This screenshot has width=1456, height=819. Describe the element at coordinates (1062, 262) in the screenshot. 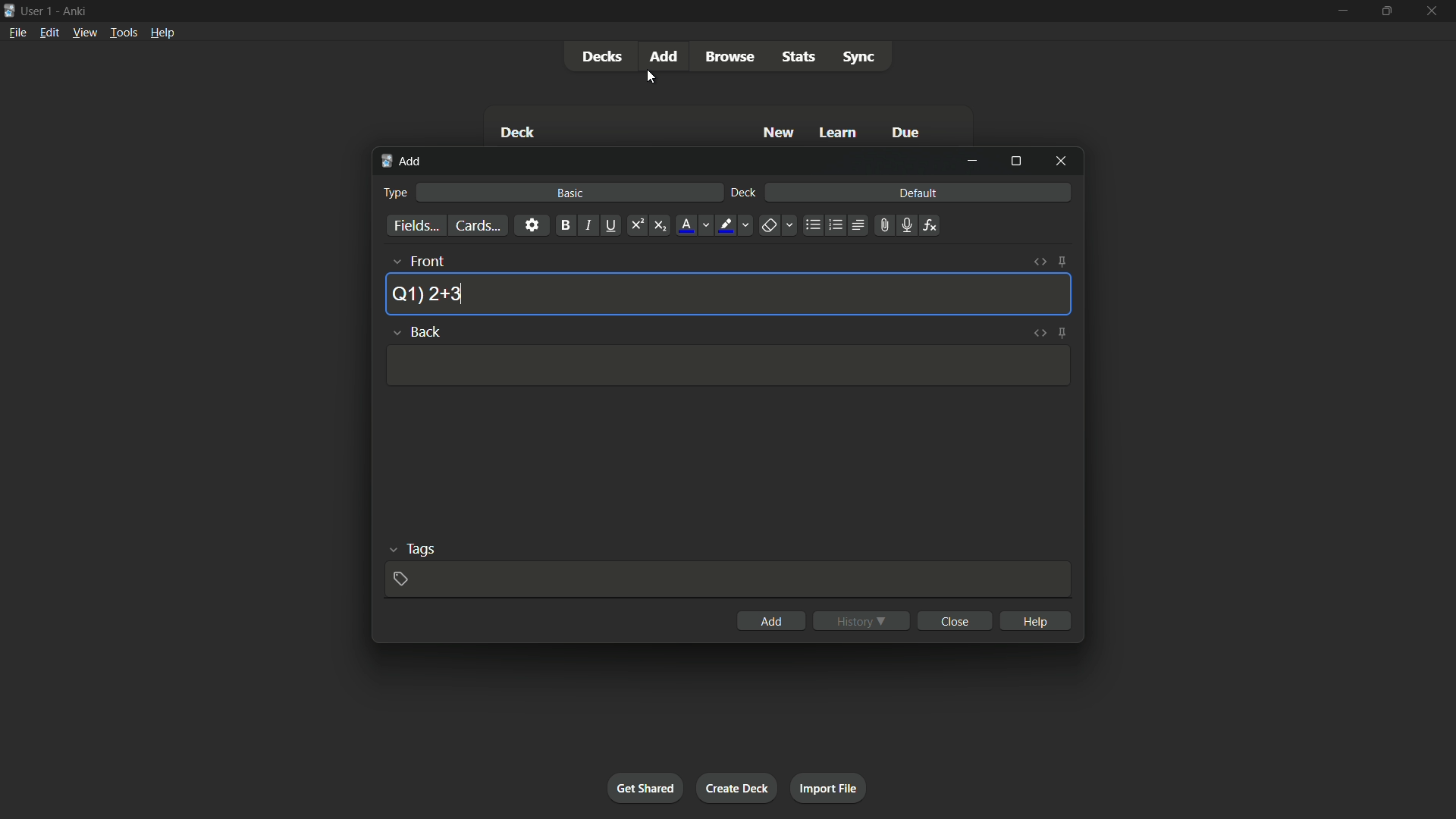

I see `toggle sticky` at that location.